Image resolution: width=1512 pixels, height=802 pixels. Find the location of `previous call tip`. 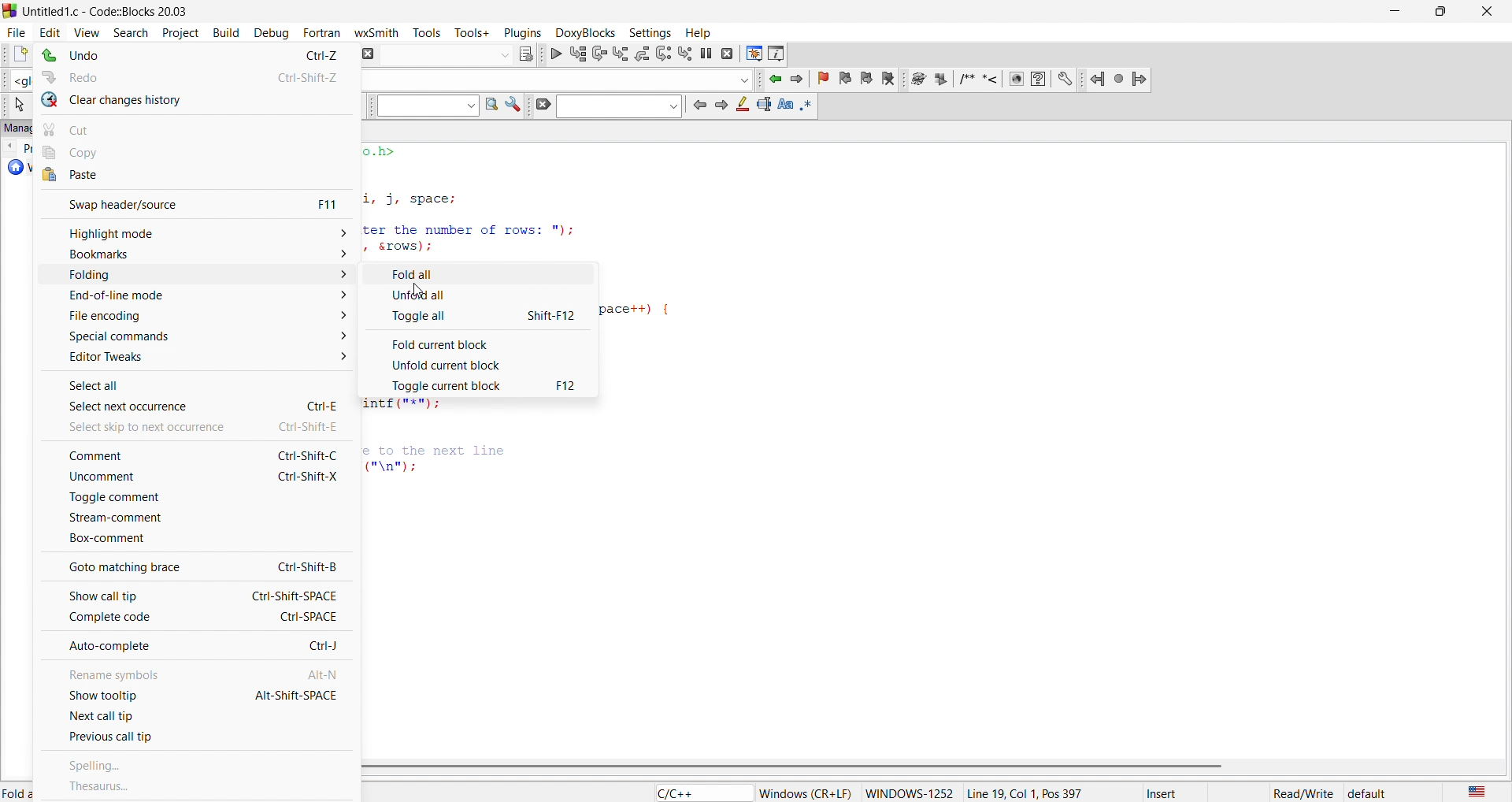

previous call tip is located at coordinates (193, 740).